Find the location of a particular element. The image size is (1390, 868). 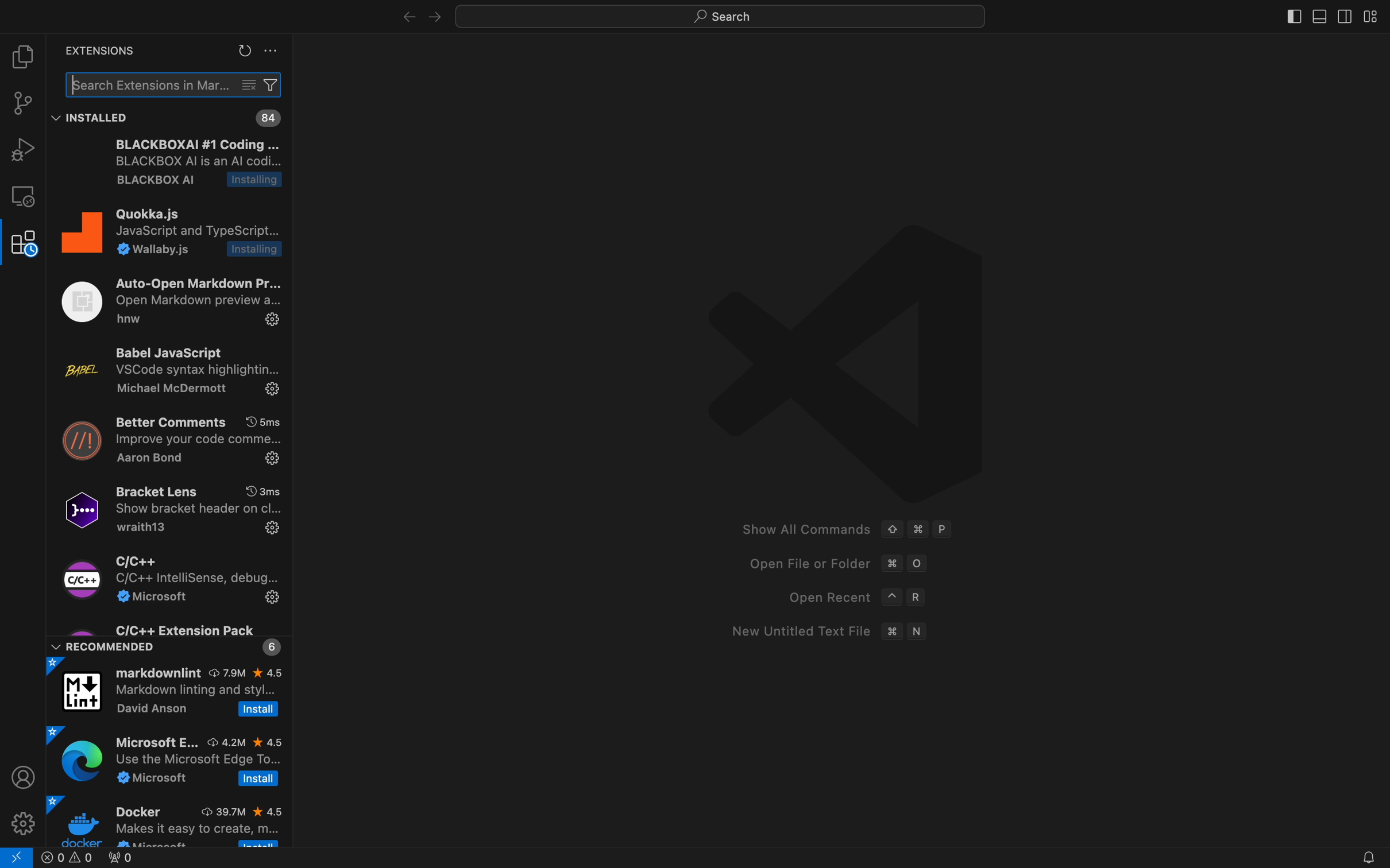

extensions is located at coordinates (23, 244).